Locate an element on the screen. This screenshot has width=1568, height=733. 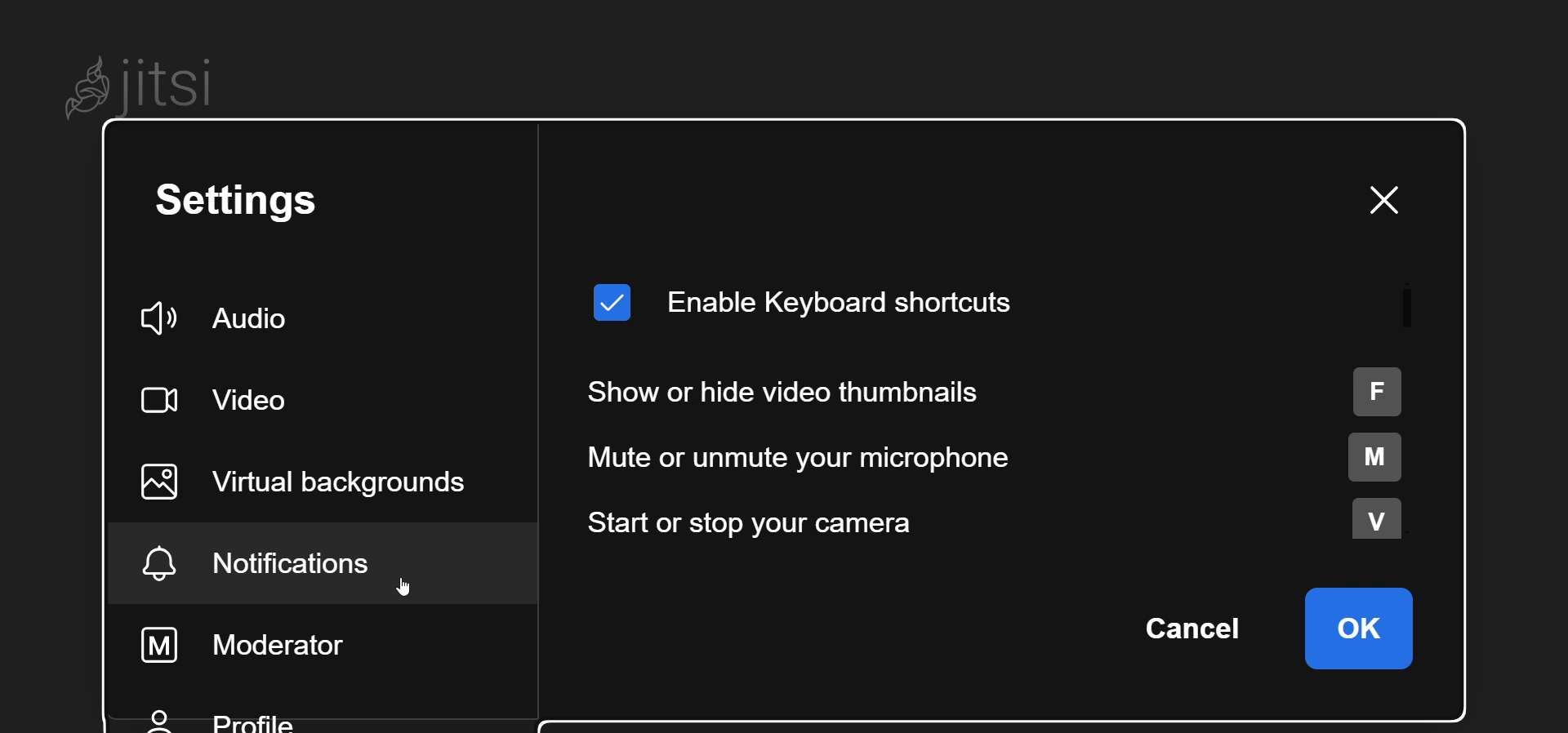
profile is located at coordinates (251, 717).